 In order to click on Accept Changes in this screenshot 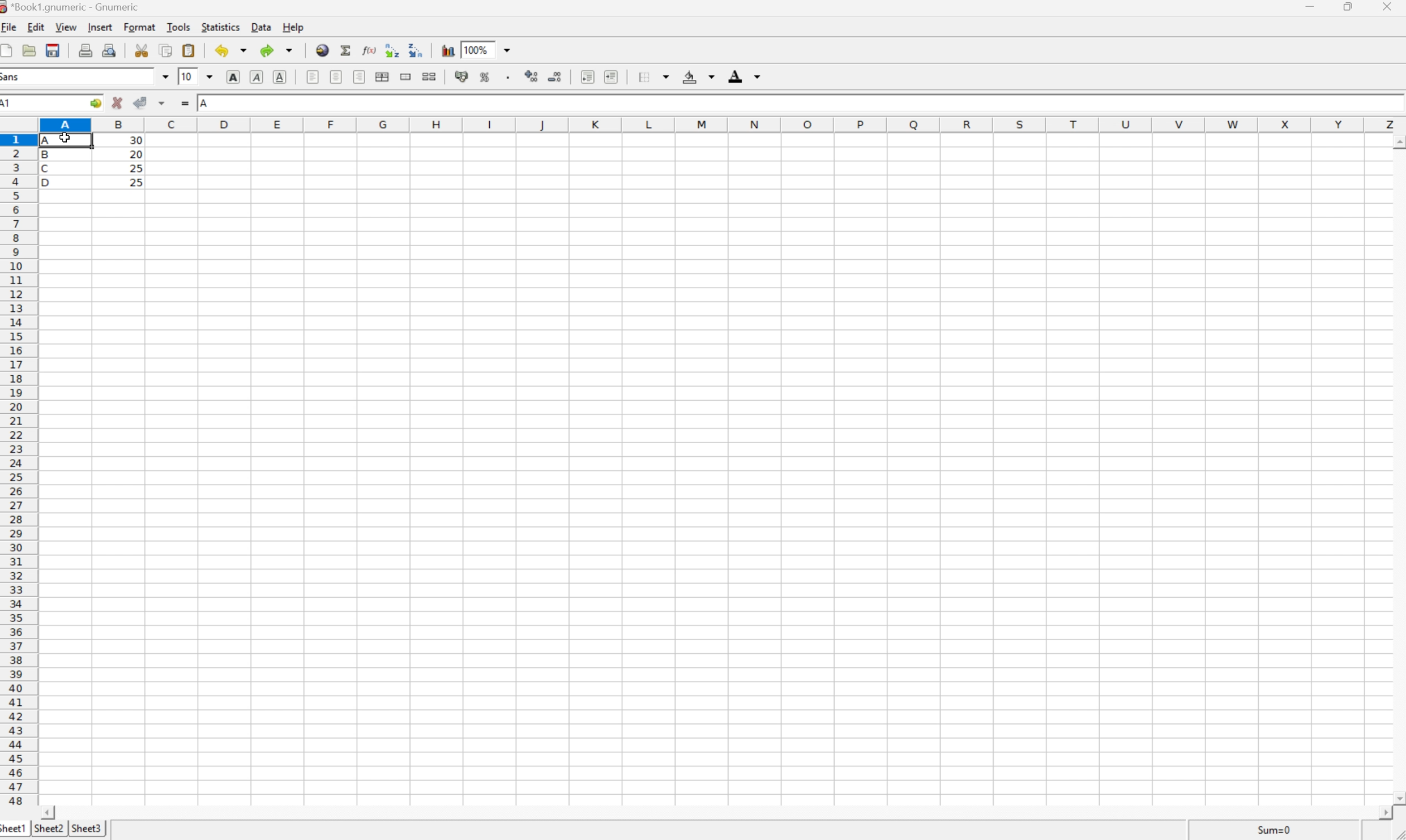, I will do `click(139, 102)`.